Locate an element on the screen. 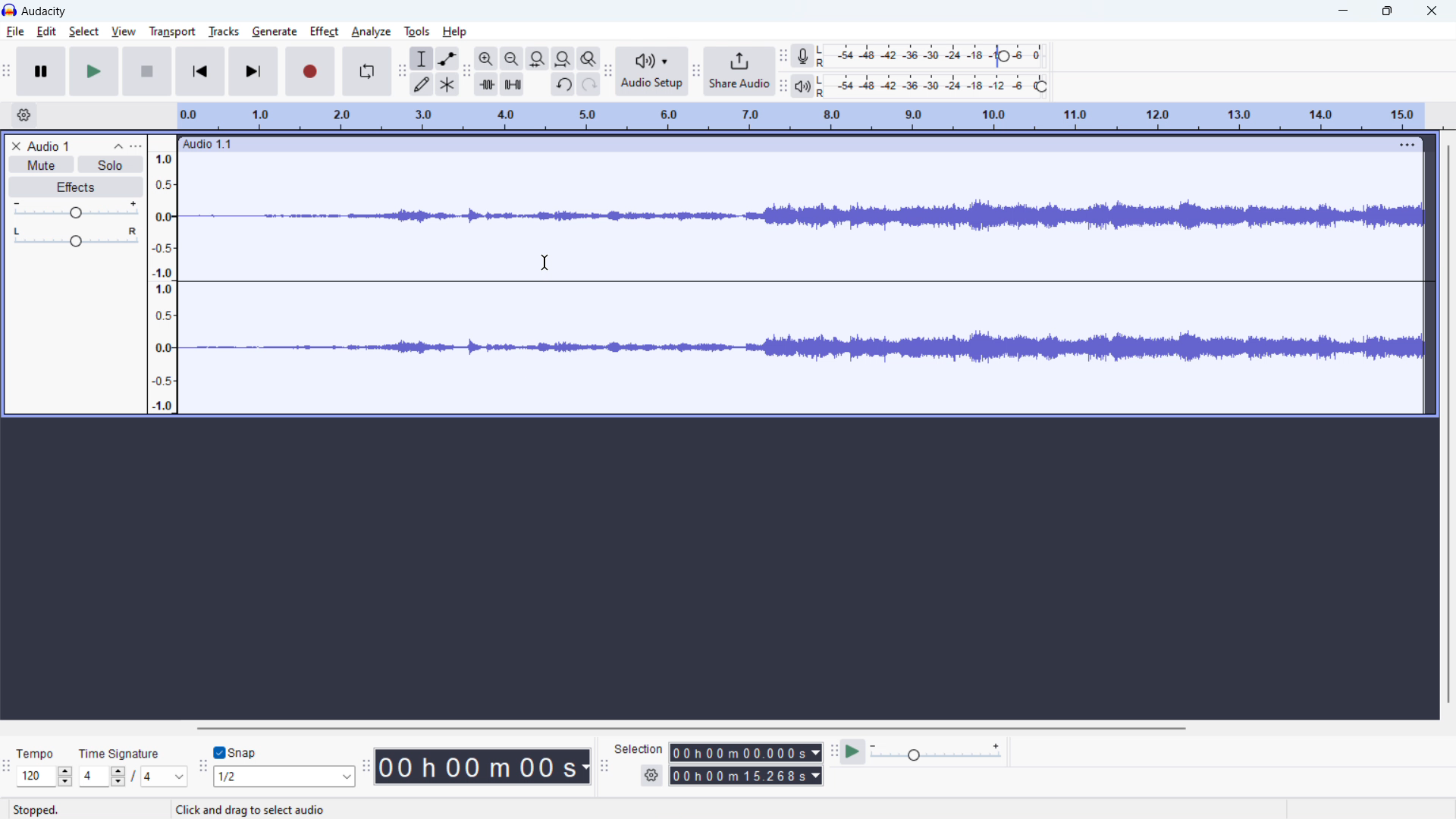 This screenshot has height=819, width=1456. edit is located at coordinates (47, 32).